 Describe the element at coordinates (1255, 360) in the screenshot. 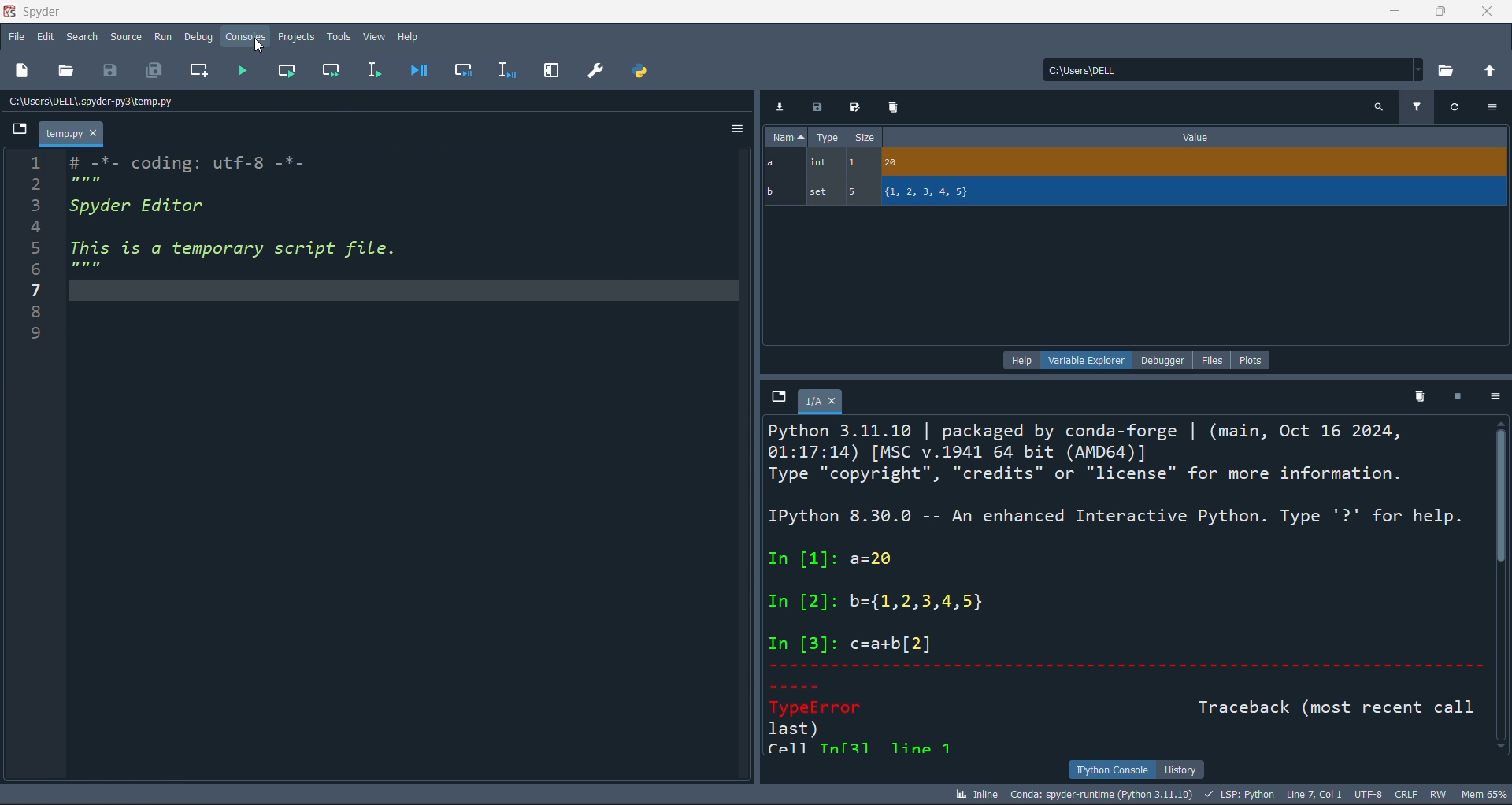

I see `plots` at that location.